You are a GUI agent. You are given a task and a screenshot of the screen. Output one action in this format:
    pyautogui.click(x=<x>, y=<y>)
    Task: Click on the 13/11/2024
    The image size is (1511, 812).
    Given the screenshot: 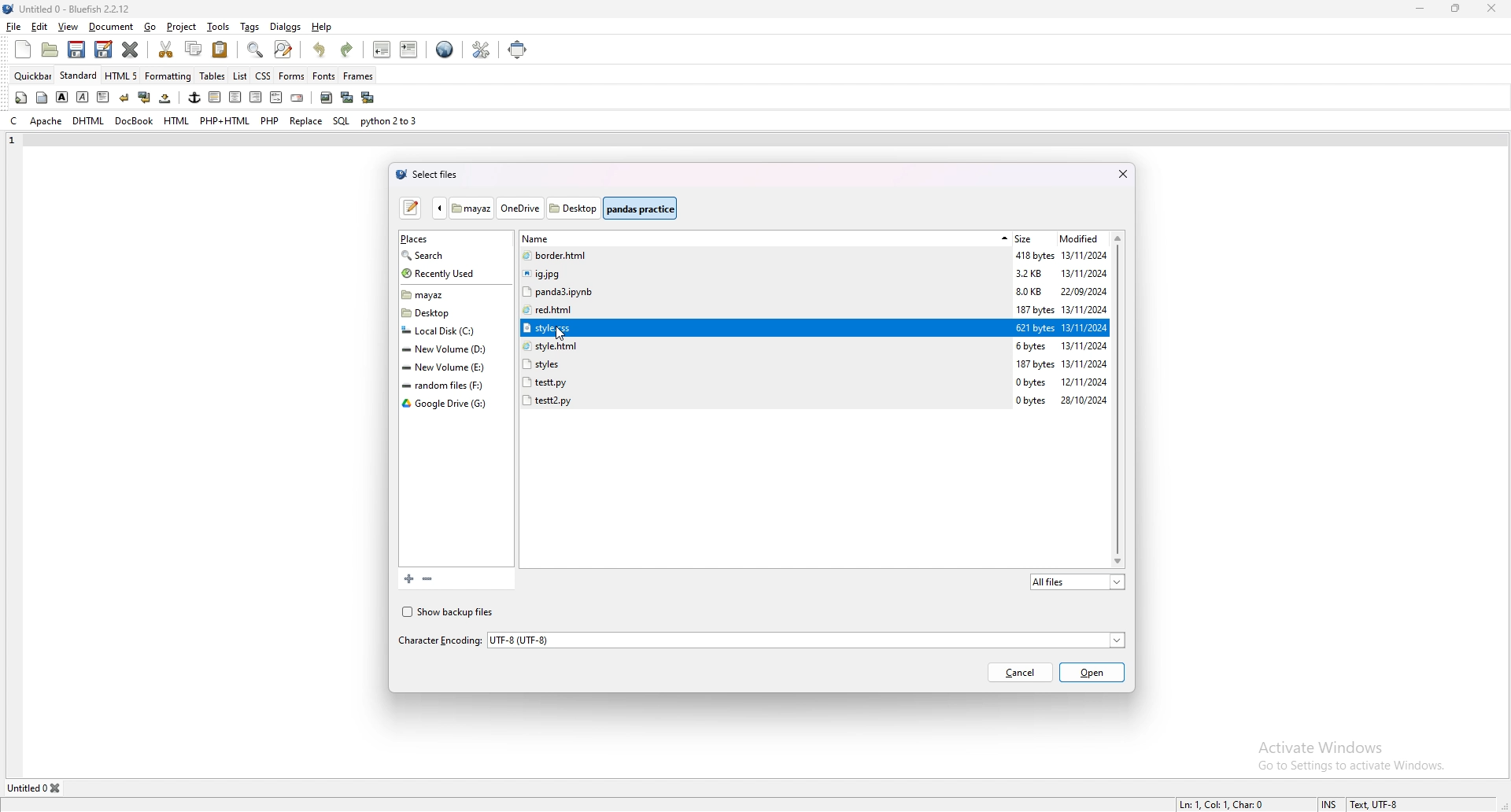 What is the action you would take?
    pyautogui.click(x=1084, y=327)
    